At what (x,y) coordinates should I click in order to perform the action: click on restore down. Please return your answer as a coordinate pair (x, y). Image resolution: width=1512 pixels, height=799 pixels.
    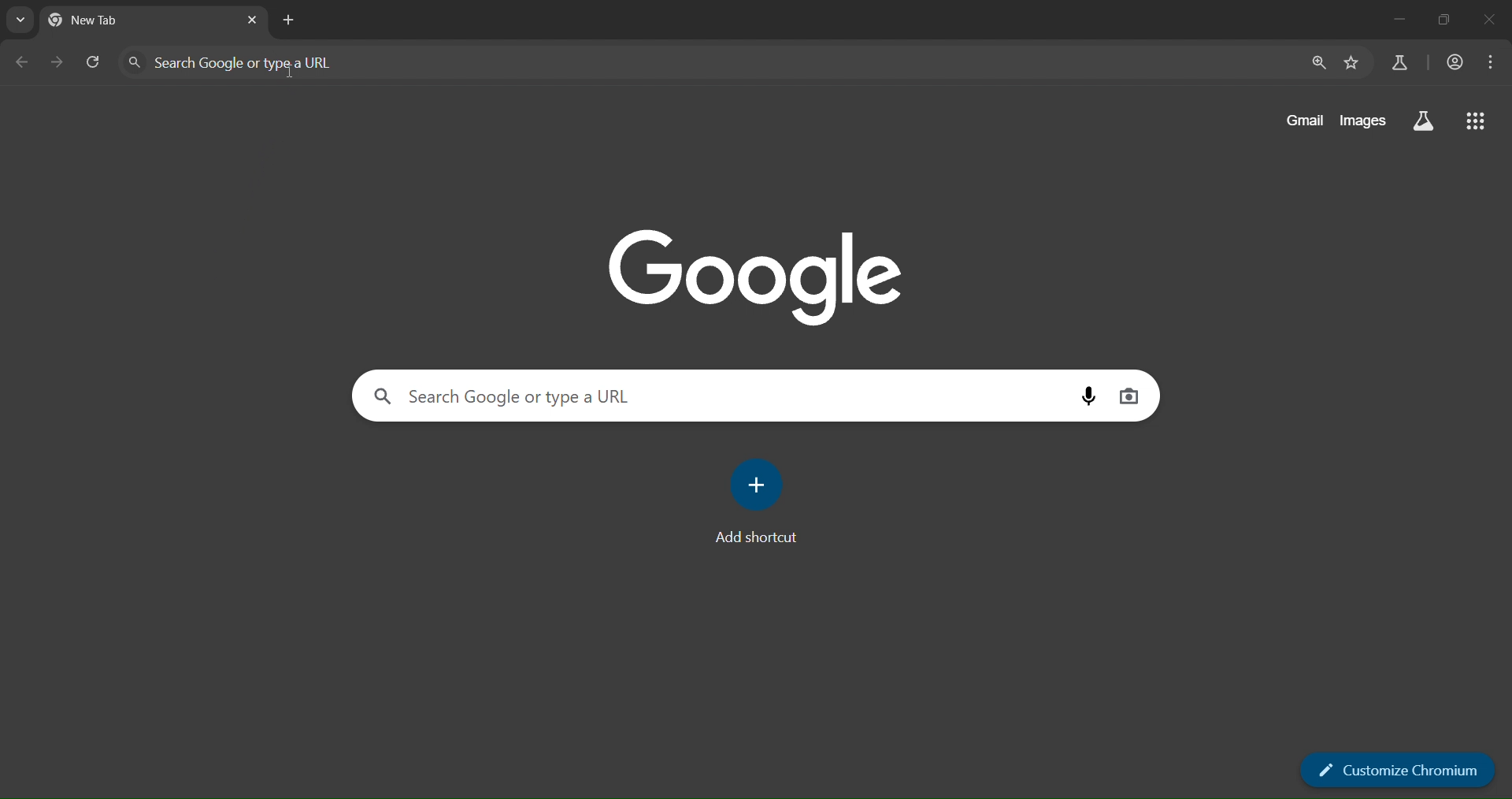
    Looking at the image, I should click on (1443, 20).